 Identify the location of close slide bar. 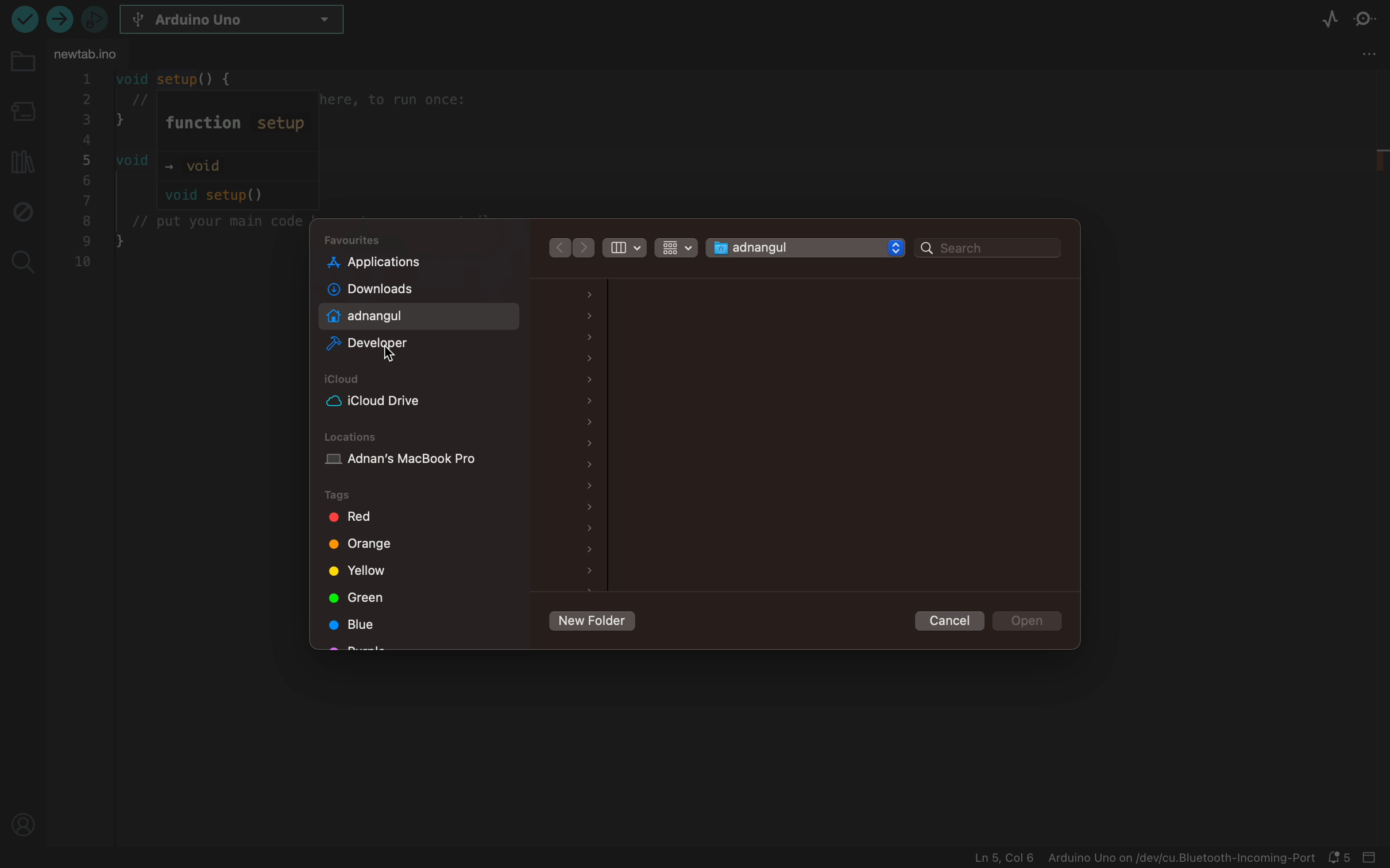
(1373, 858).